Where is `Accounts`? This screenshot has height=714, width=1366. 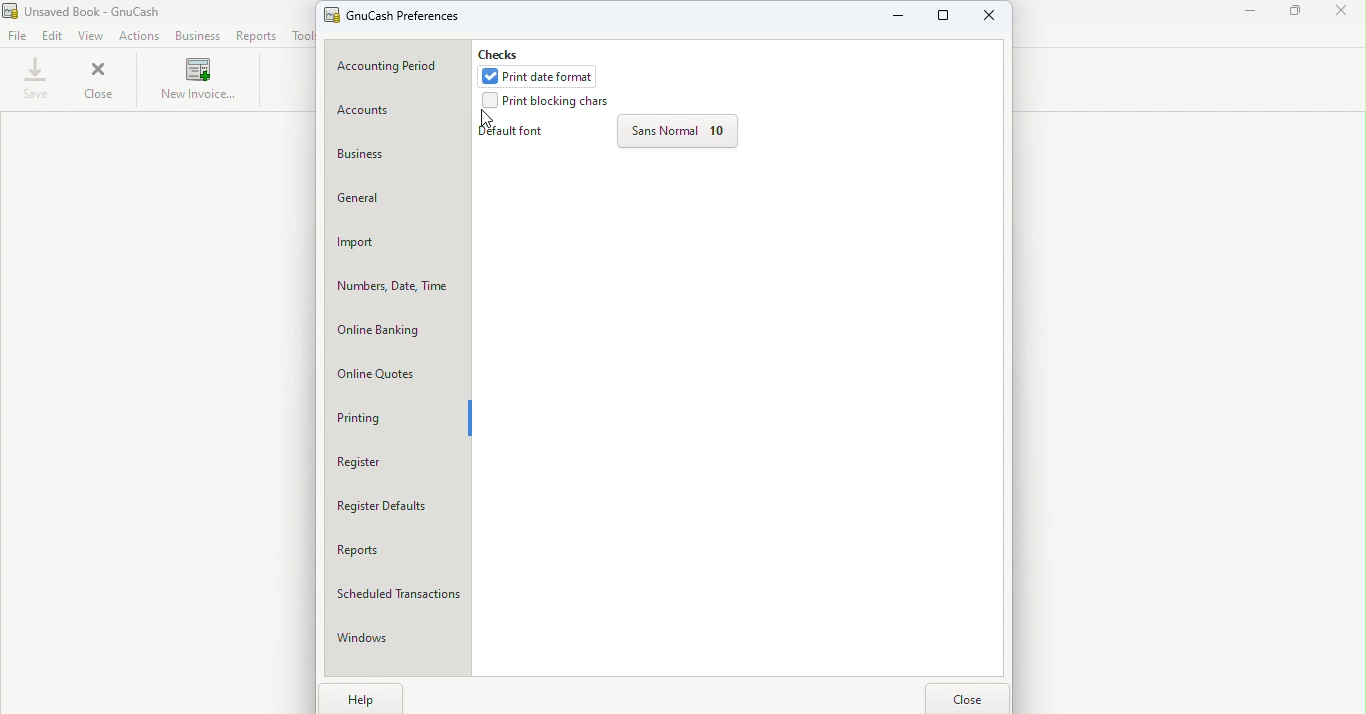 Accounts is located at coordinates (397, 112).